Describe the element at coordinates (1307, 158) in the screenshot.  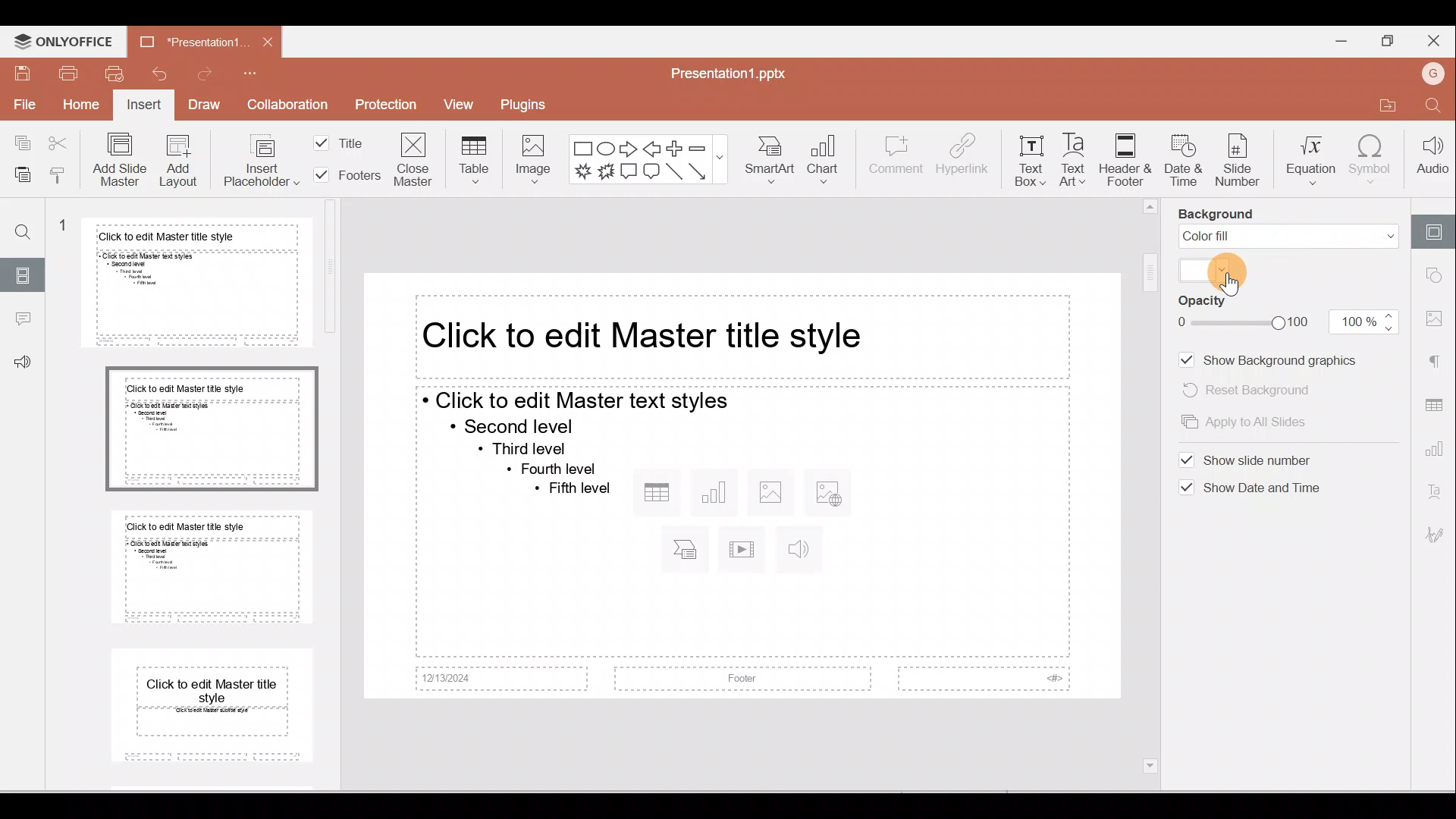
I see `Equation` at that location.